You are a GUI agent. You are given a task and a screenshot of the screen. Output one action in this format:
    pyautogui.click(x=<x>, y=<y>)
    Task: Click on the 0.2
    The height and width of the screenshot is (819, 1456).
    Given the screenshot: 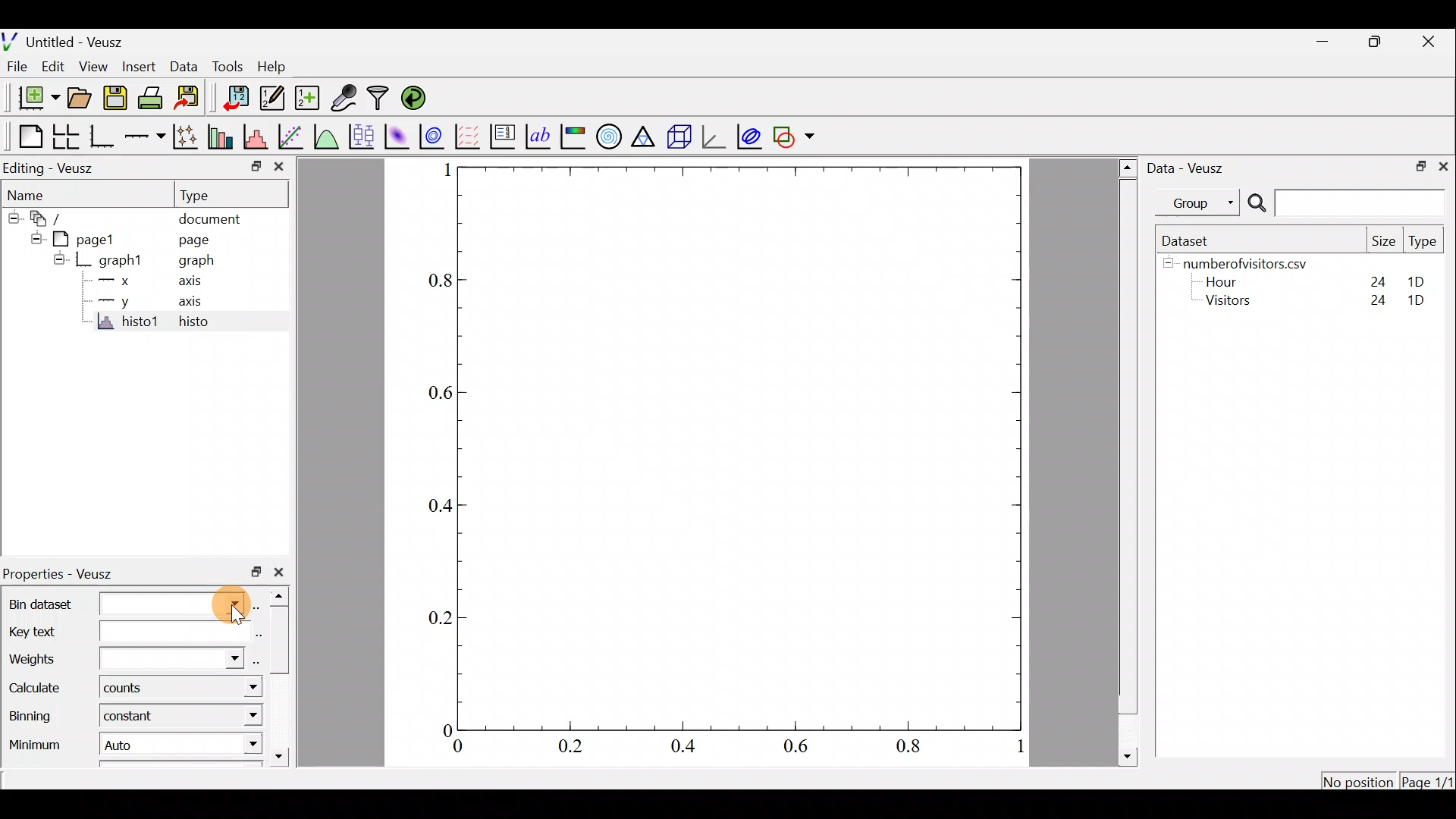 What is the action you would take?
    pyautogui.click(x=435, y=620)
    